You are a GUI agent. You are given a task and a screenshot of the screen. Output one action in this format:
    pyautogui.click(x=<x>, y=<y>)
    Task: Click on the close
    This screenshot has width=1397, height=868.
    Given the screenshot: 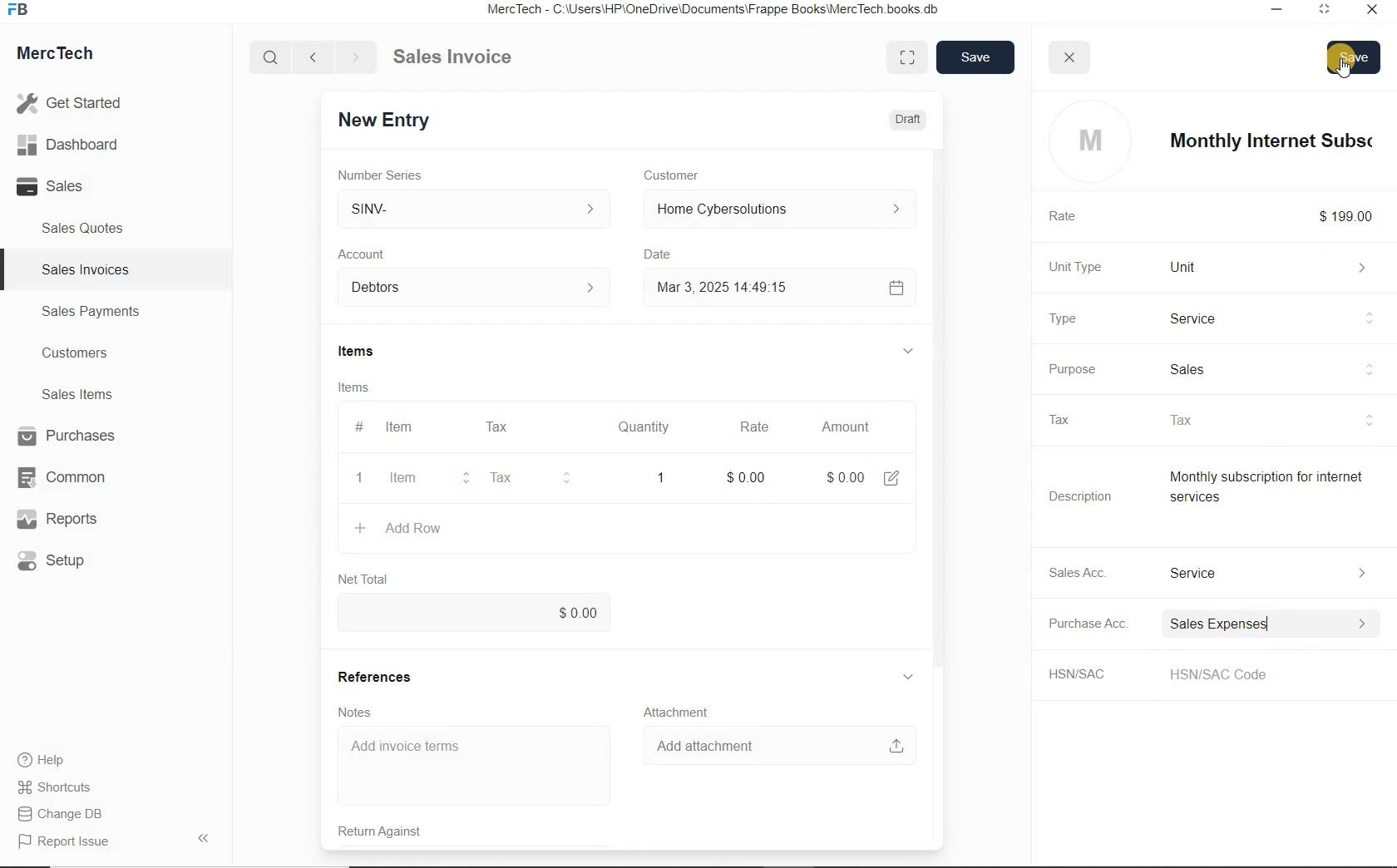 What is the action you would take?
    pyautogui.click(x=1068, y=57)
    